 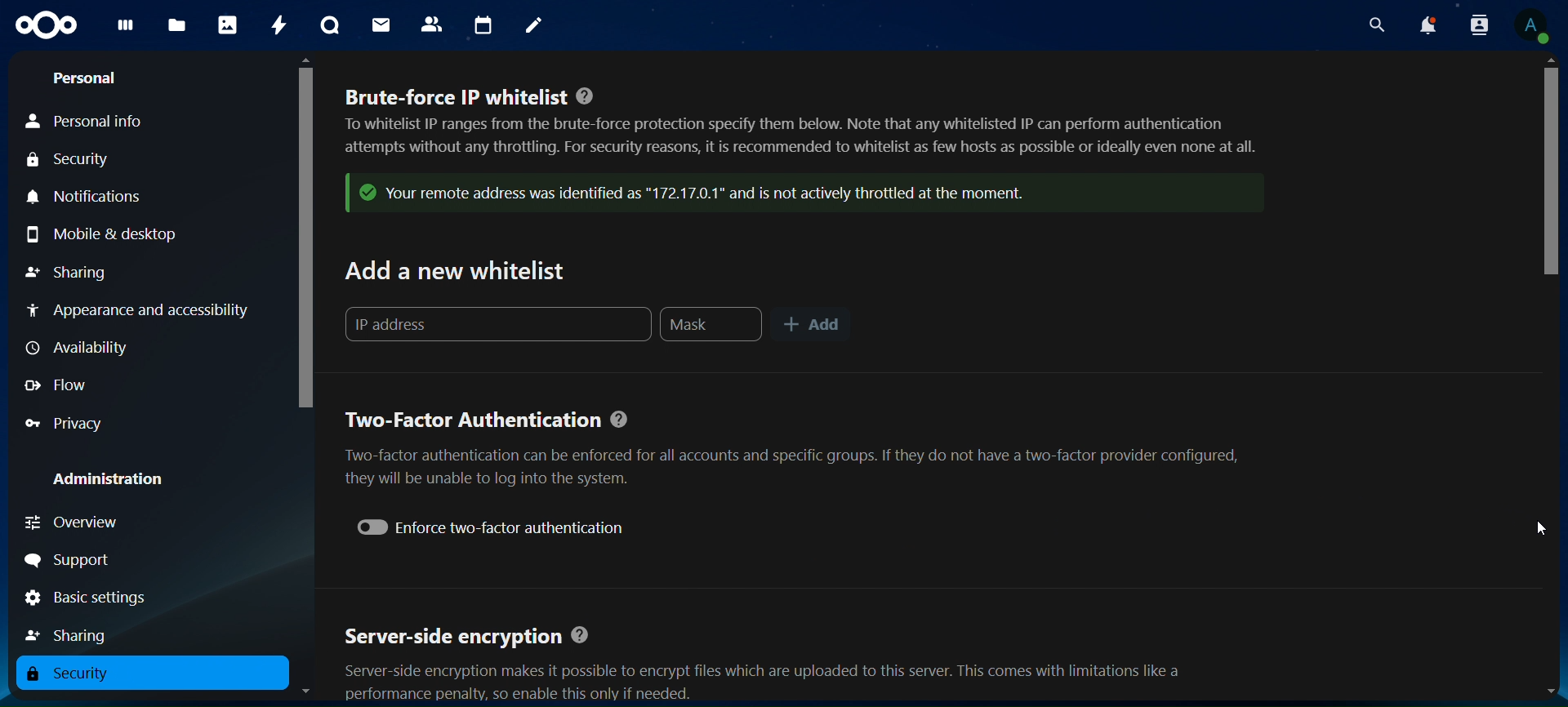 I want to click on brute force IP whitelist, so click(x=812, y=156).